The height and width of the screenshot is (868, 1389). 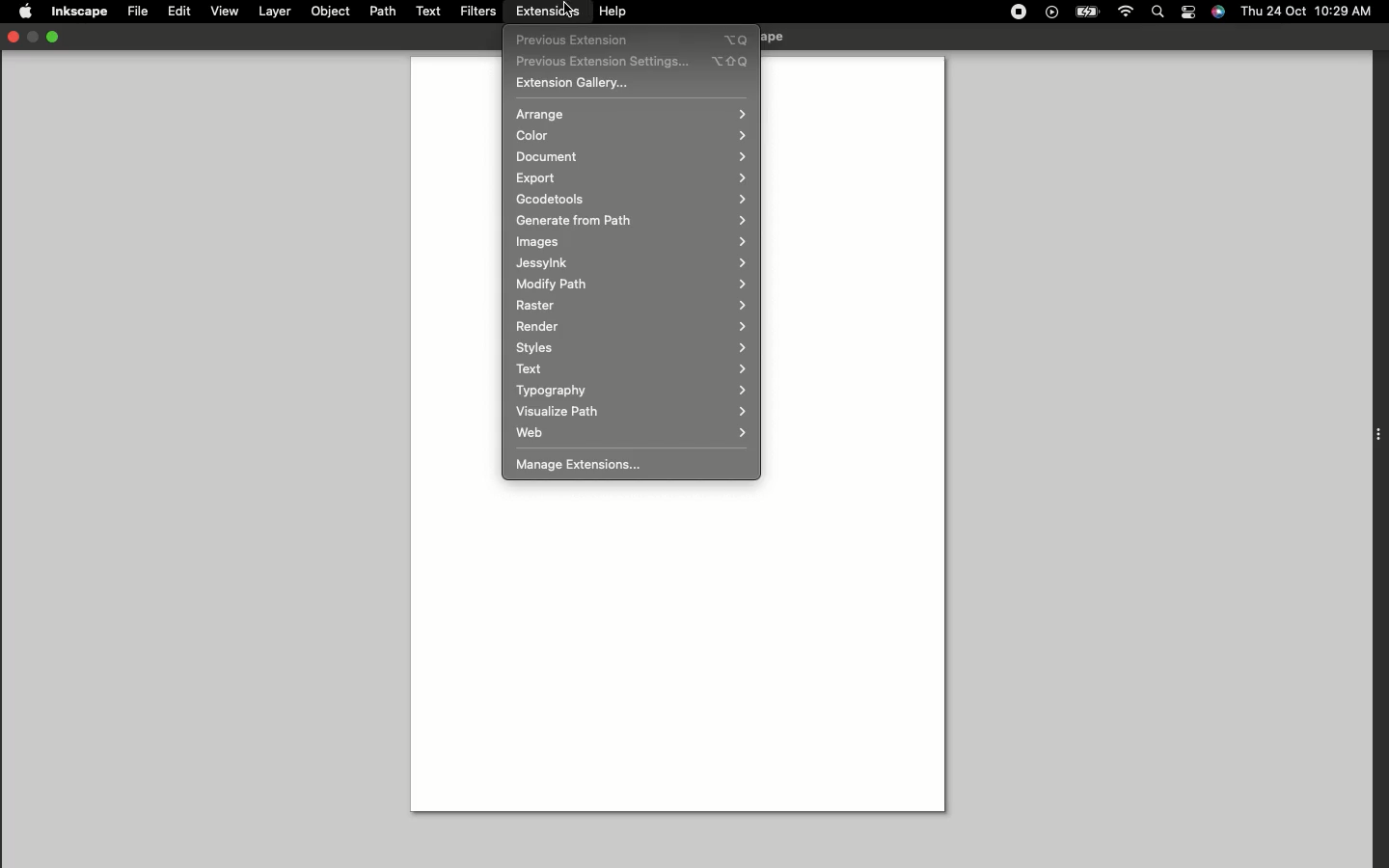 I want to click on Gcodetools, so click(x=634, y=200).